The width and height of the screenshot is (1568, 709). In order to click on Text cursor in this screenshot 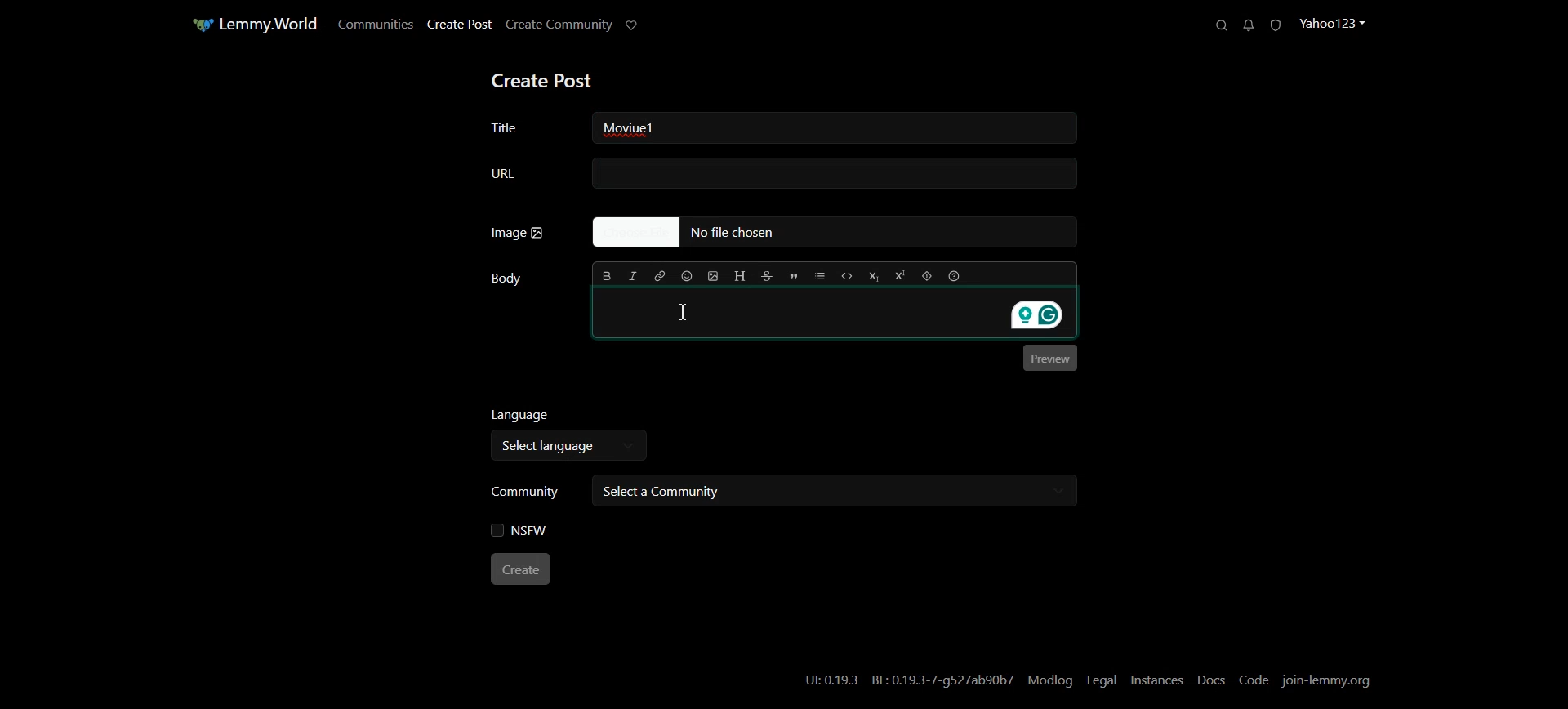, I will do `click(686, 310)`.